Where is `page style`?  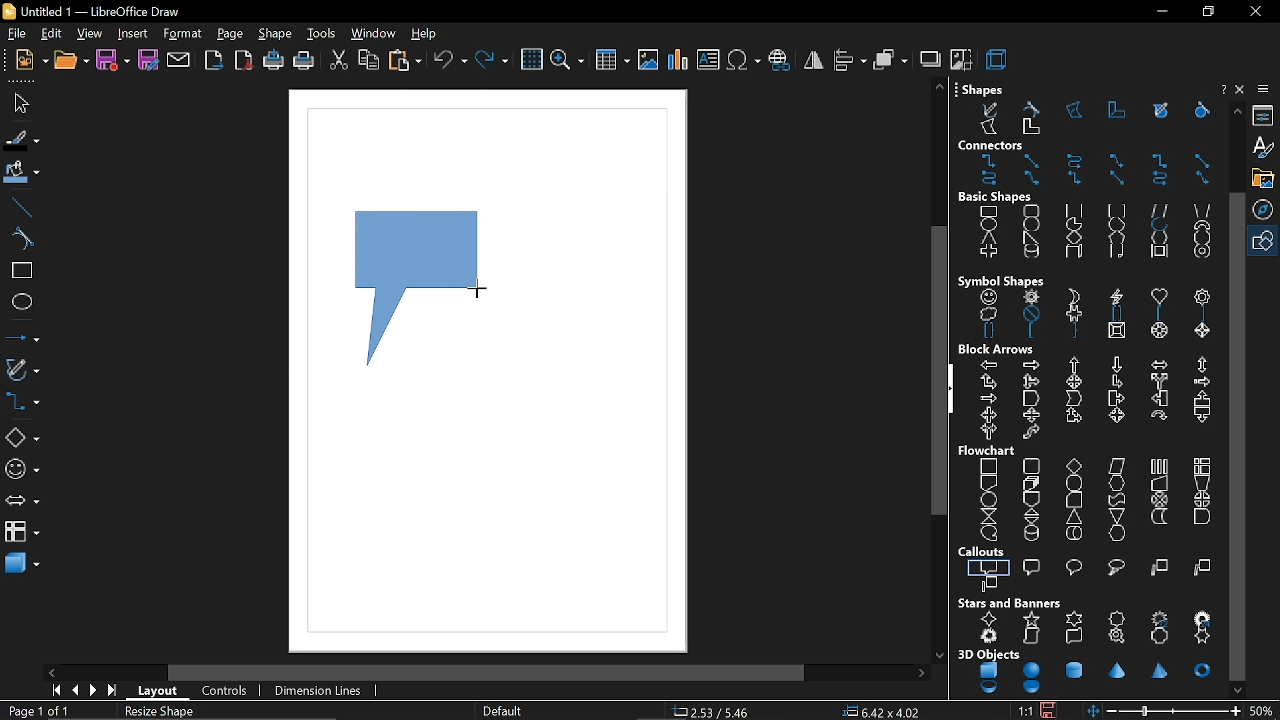
page style is located at coordinates (504, 712).